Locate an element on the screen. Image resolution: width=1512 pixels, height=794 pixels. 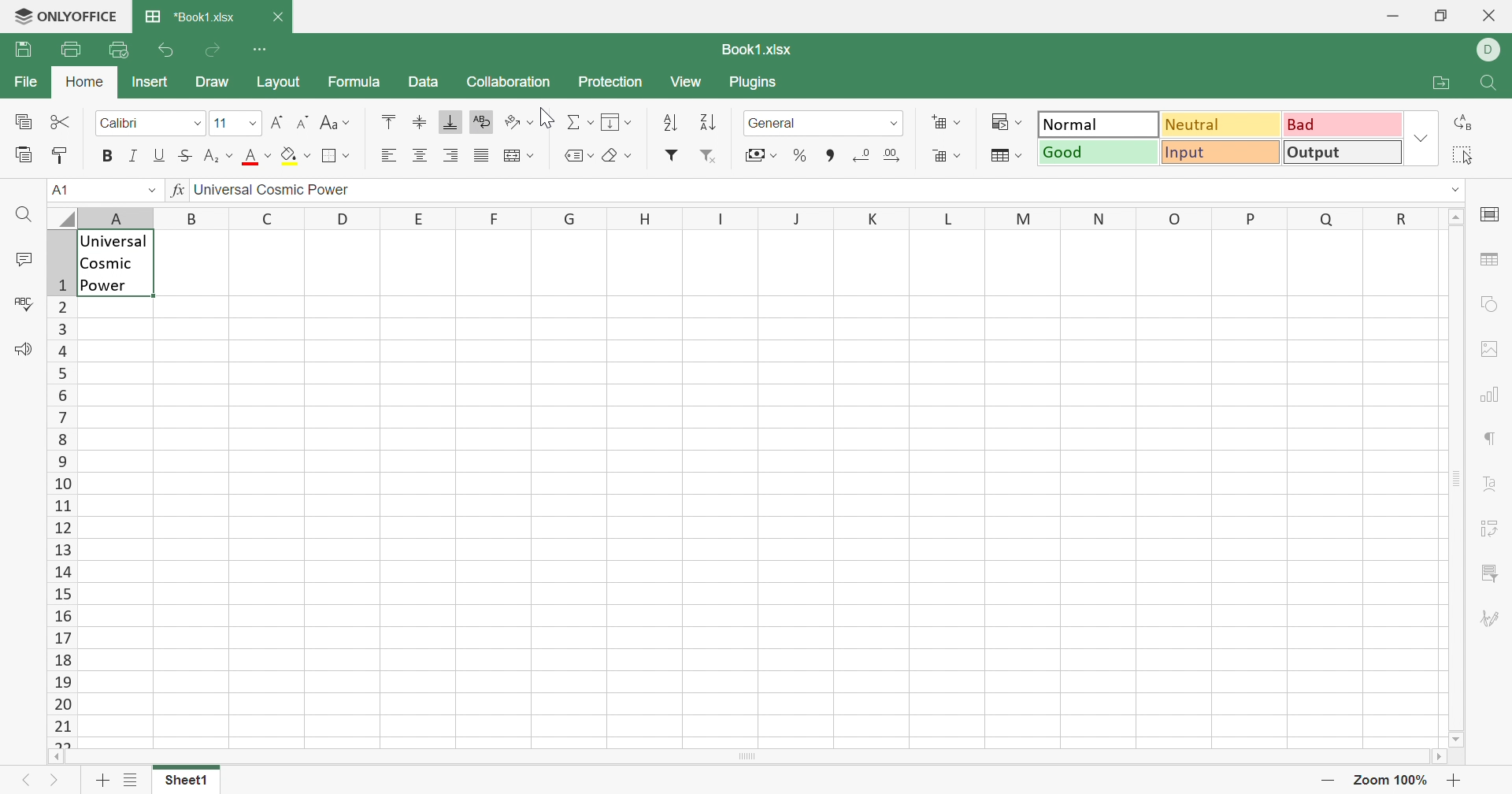
Fill color is located at coordinates (298, 155).